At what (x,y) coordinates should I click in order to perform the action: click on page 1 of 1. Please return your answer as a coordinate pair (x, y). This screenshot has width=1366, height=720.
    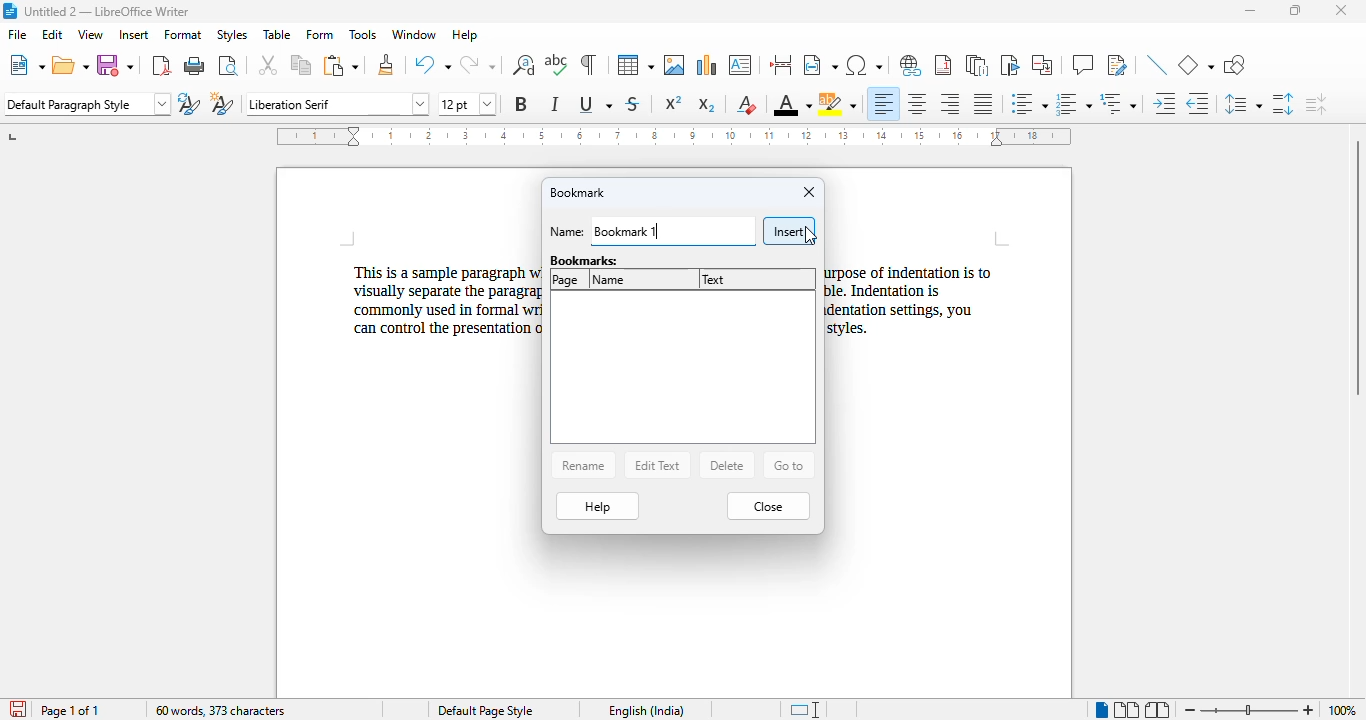
    Looking at the image, I should click on (70, 710).